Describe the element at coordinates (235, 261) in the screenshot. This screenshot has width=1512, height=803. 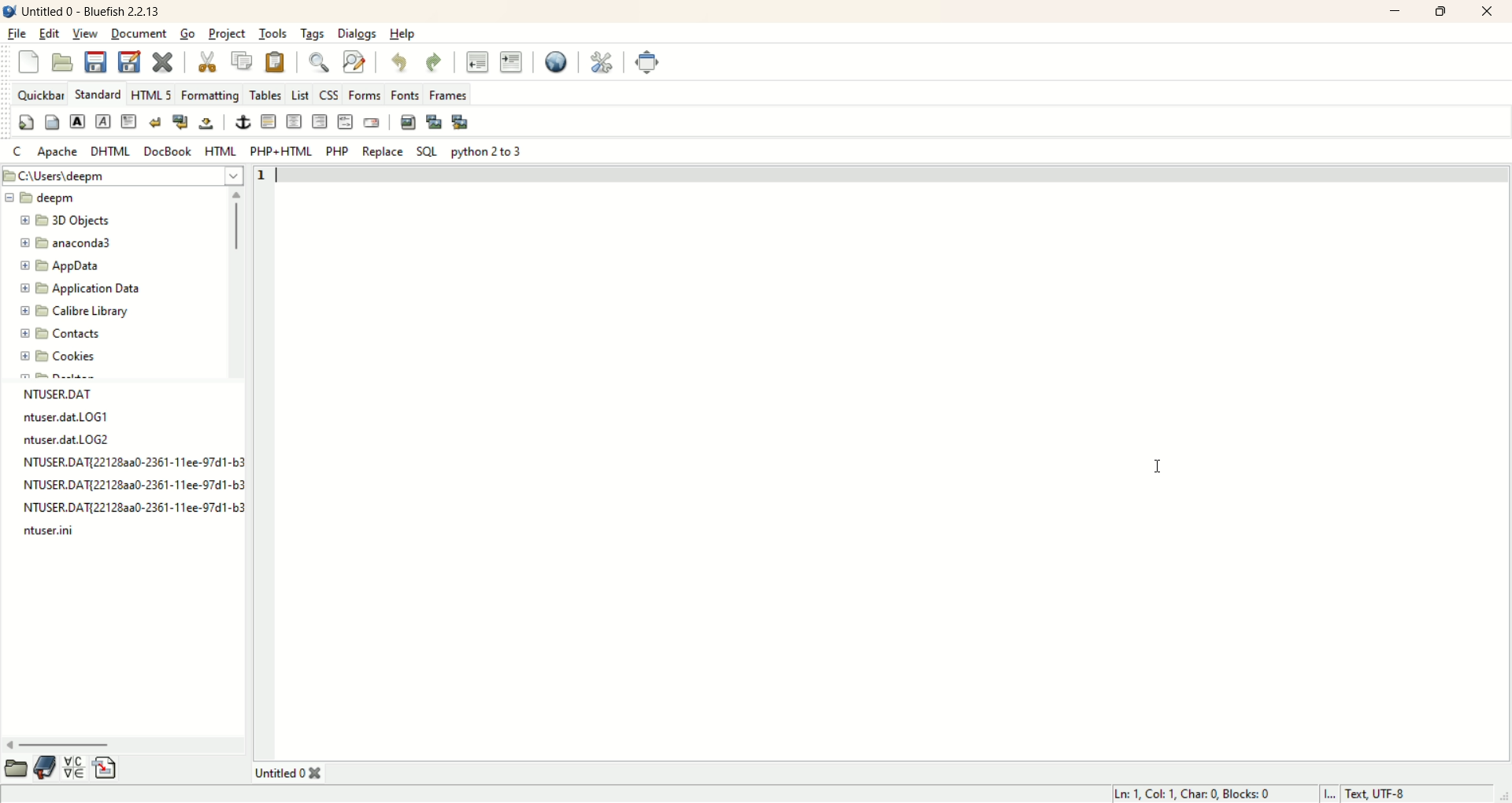
I see `vertical scroll bar` at that location.